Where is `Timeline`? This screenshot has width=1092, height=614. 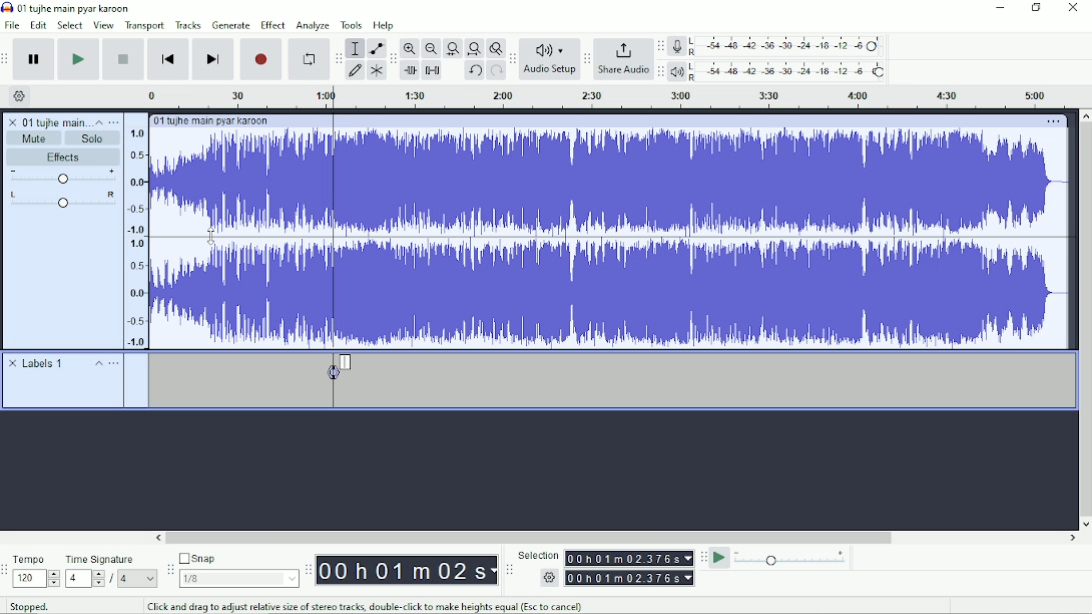
Timeline is located at coordinates (609, 97).